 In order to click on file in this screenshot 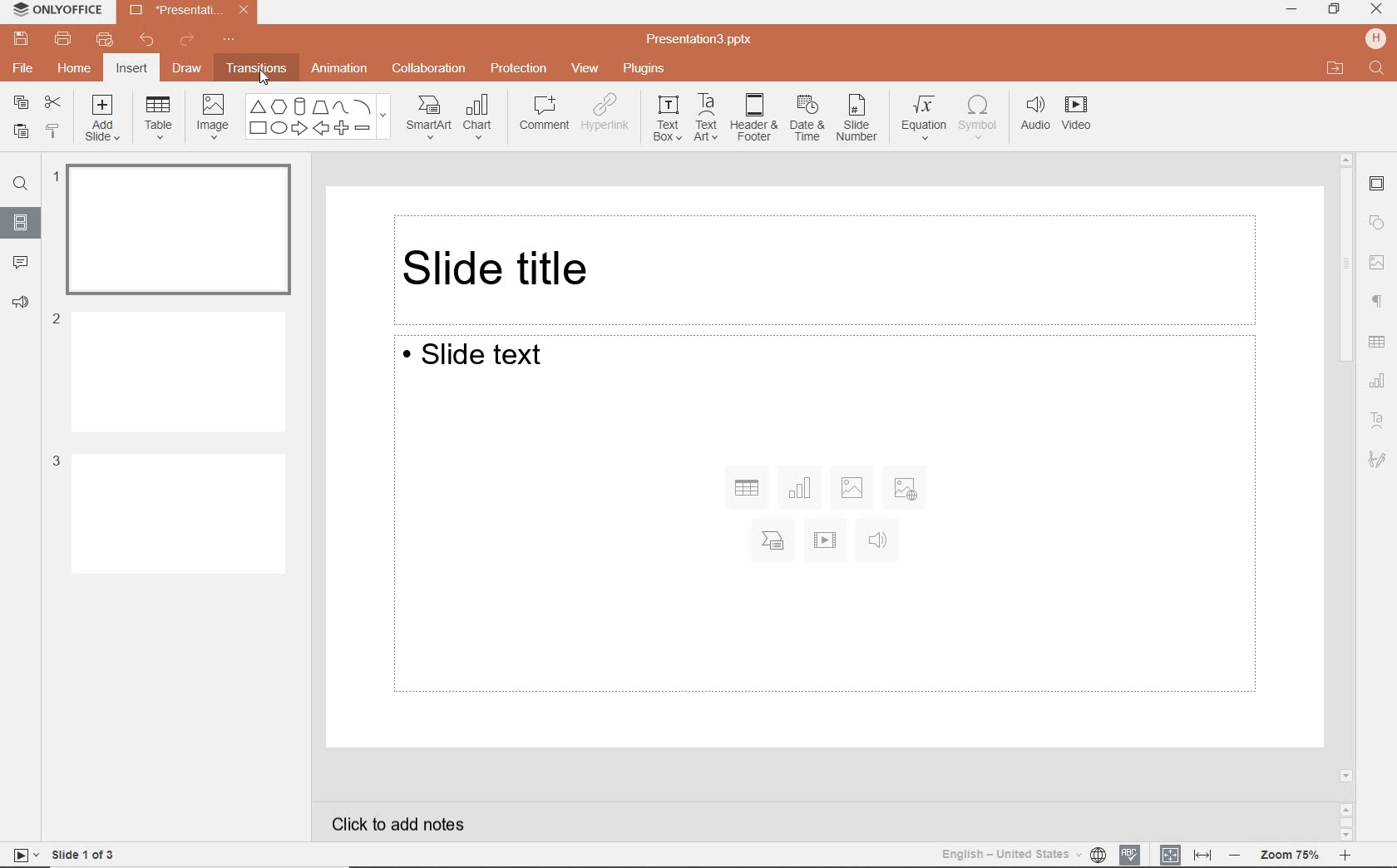, I will do `click(22, 67)`.